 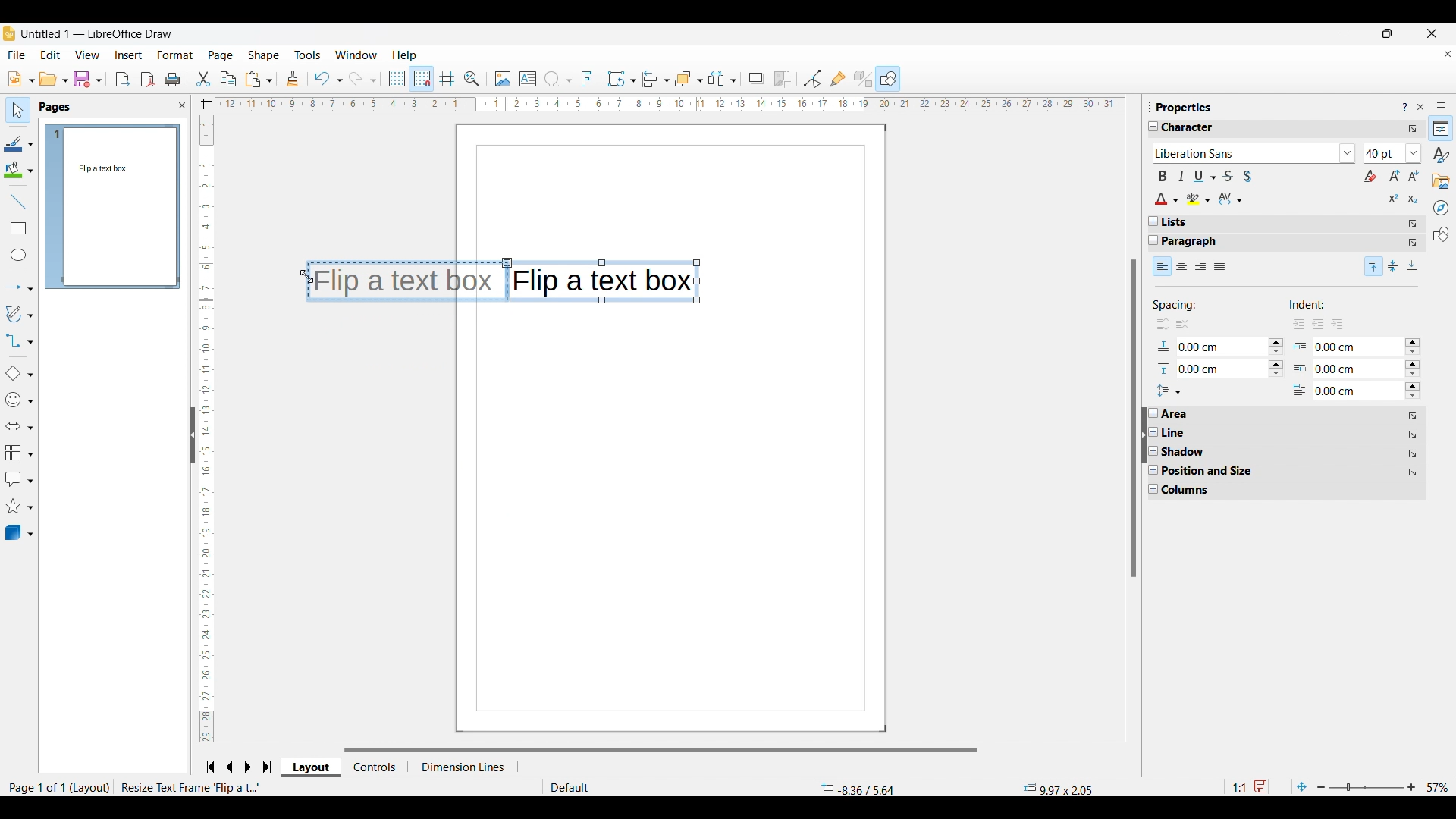 I want to click on Set line spacing options, so click(x=1169, y=391).